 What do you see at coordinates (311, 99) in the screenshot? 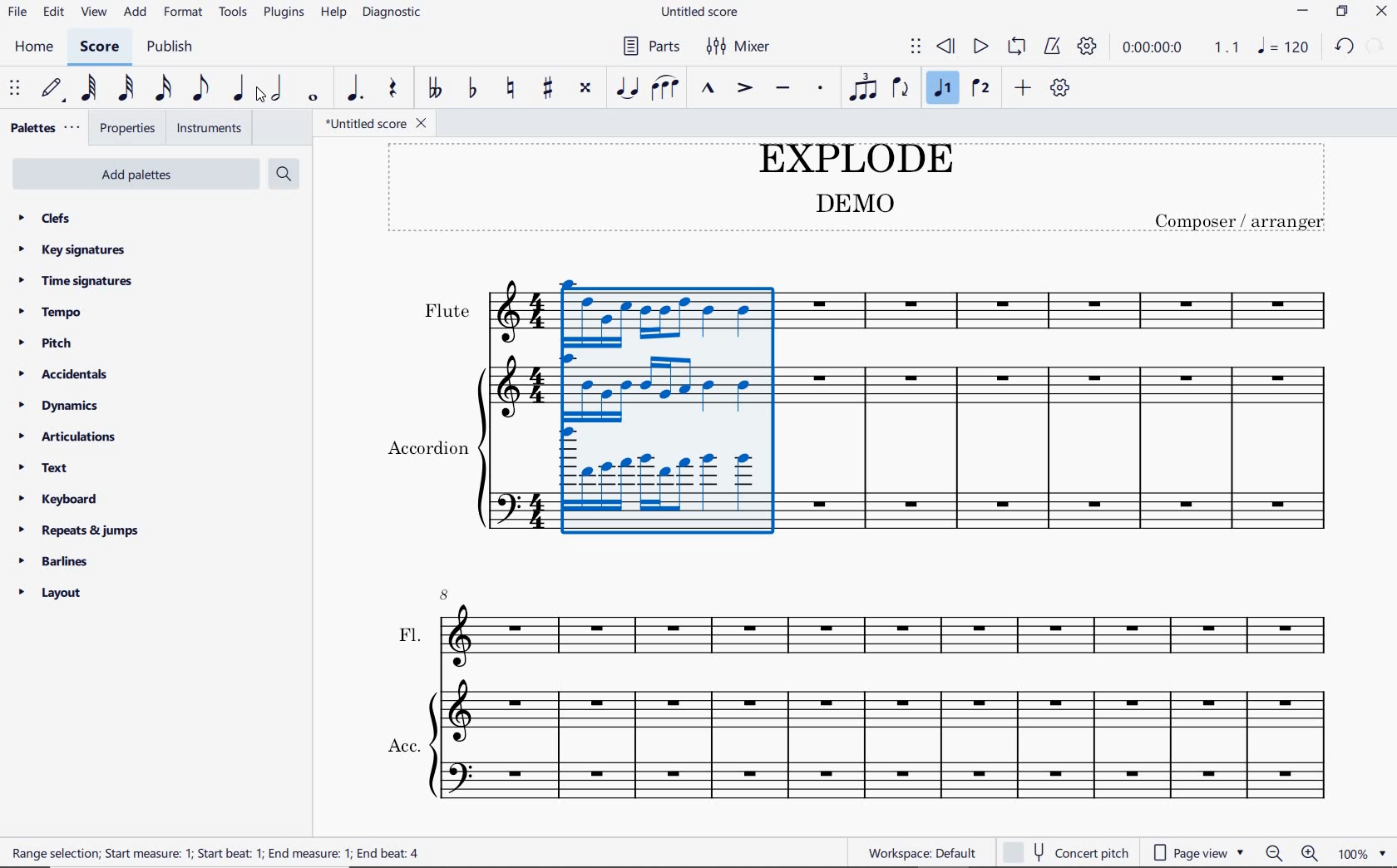
I see `whole note` at bounding box center [311, 99].